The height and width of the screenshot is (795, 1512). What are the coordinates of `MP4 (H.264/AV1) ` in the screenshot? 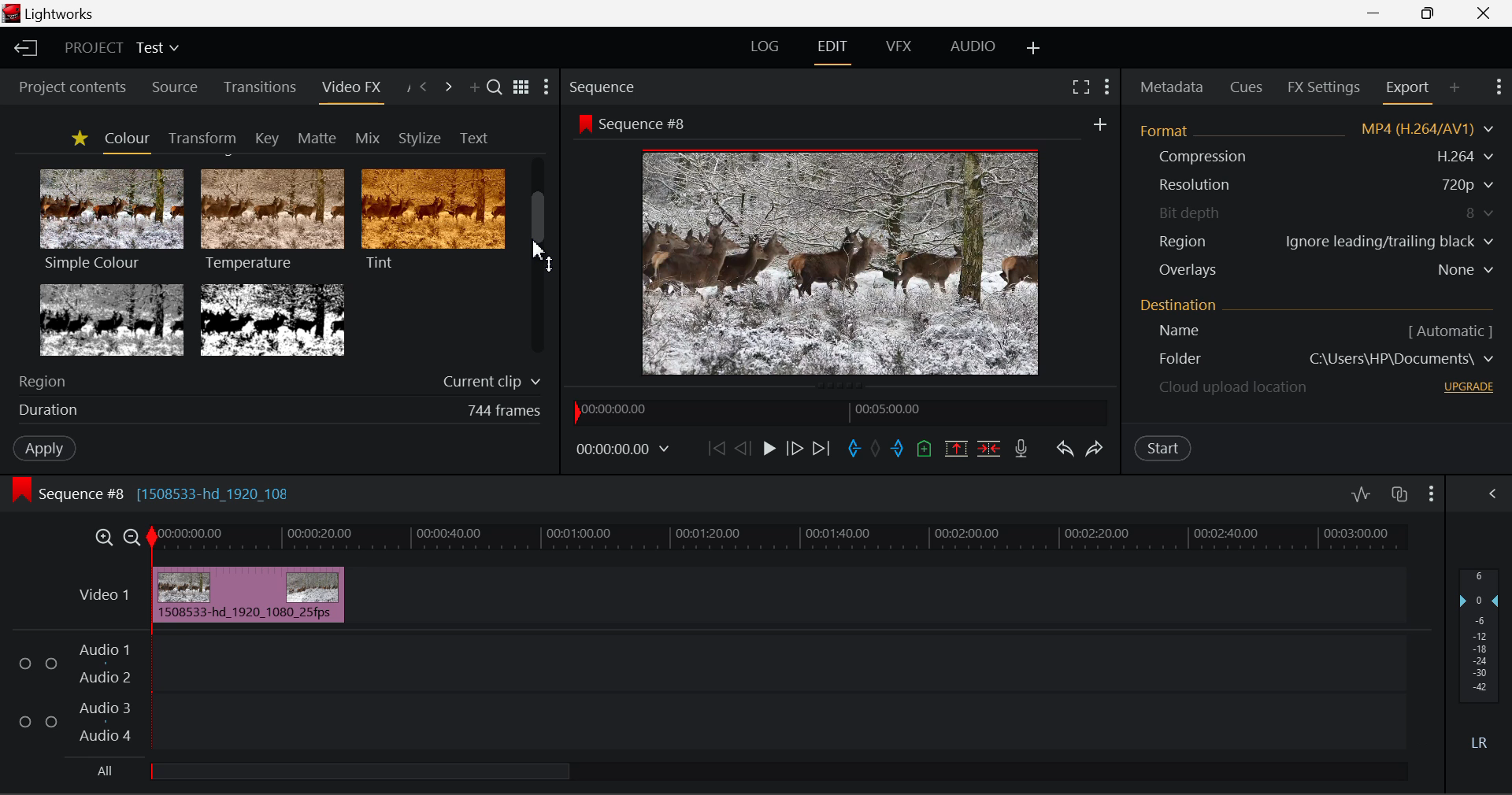 It's located at (1419, 129).